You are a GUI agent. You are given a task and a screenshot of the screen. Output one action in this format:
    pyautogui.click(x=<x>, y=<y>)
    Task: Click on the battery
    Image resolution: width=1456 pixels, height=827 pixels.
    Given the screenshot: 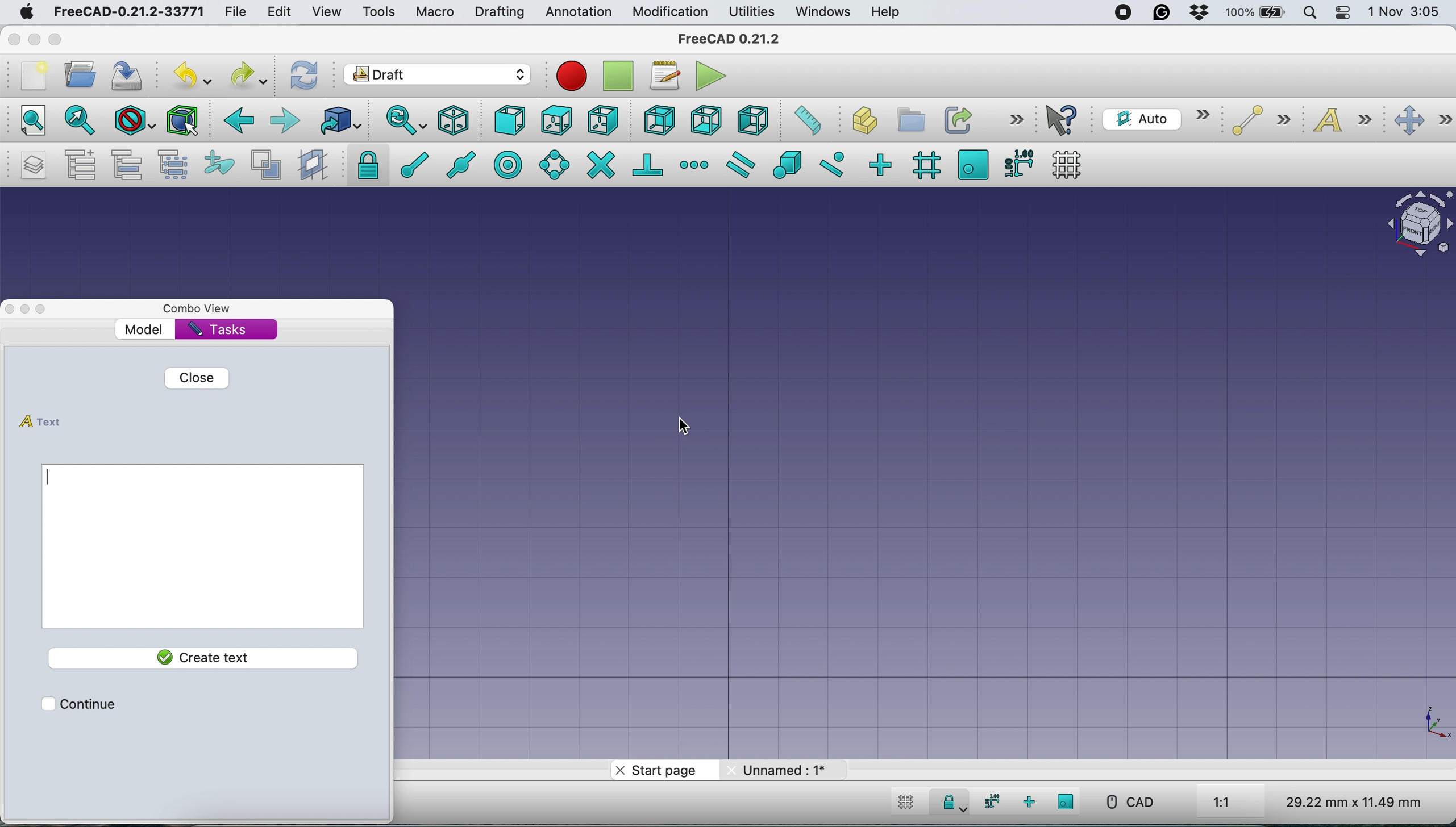 What is the action you would take?
    pyautogui.click(x=1254, y=12)
    